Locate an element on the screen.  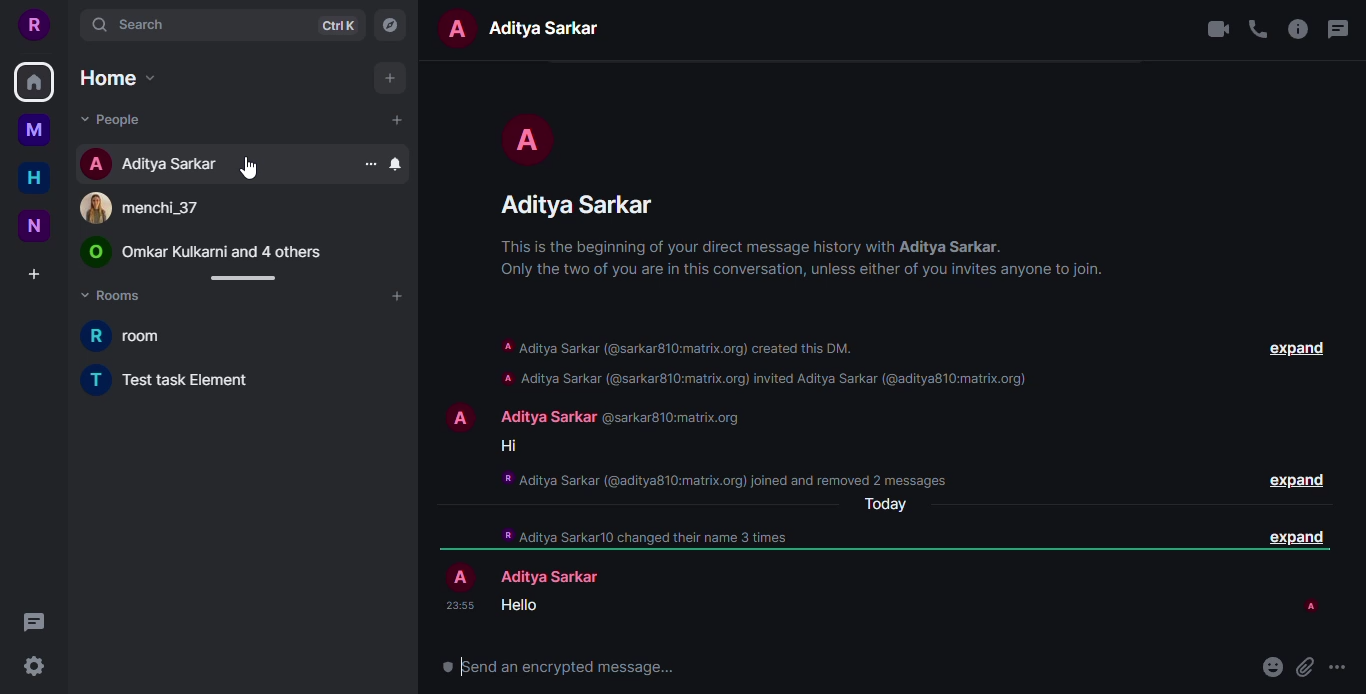
seen is located at coordinates (1311, 607).